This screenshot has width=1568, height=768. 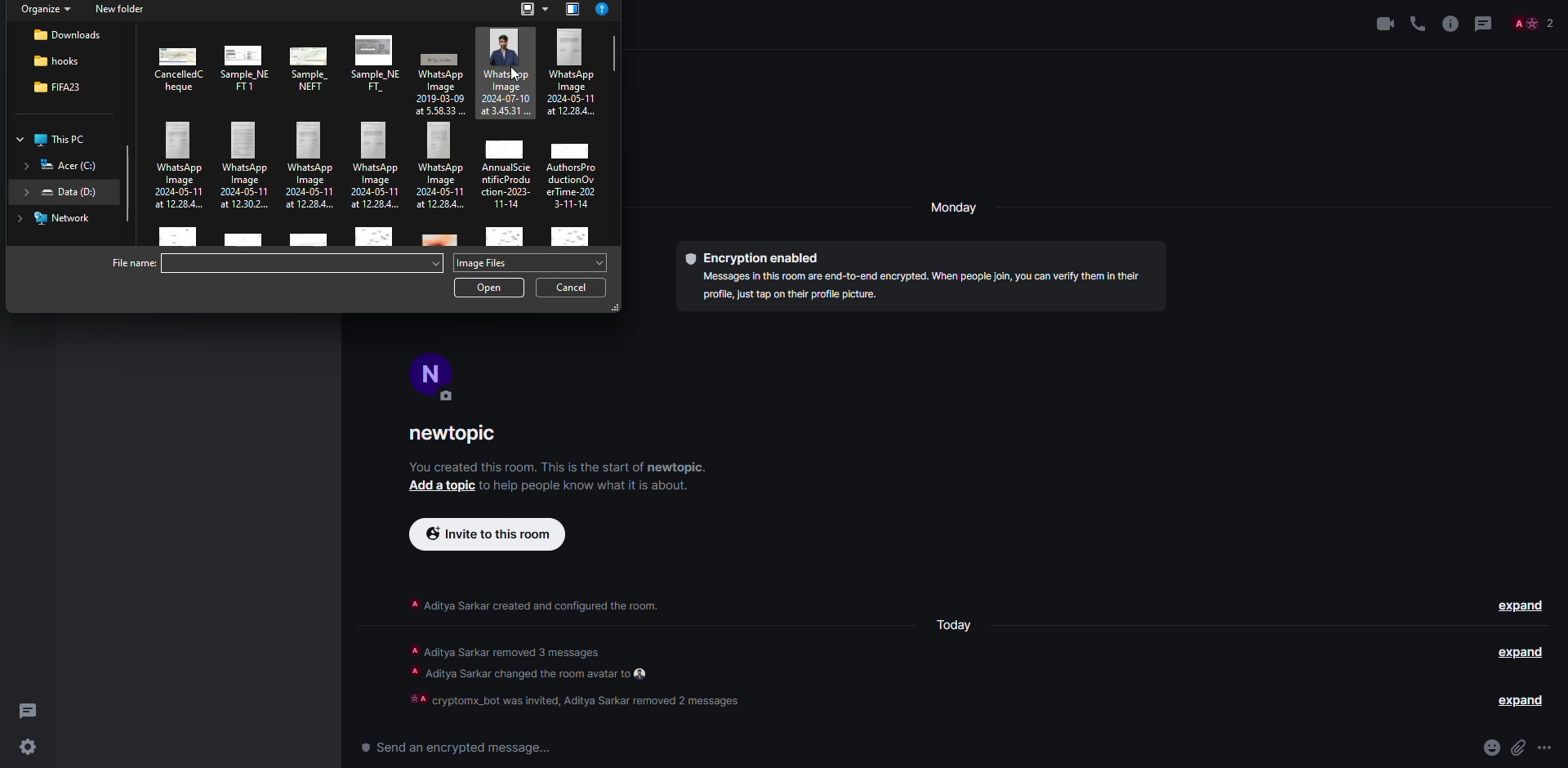 I want to click on video call, so click(x=1380, y=22).